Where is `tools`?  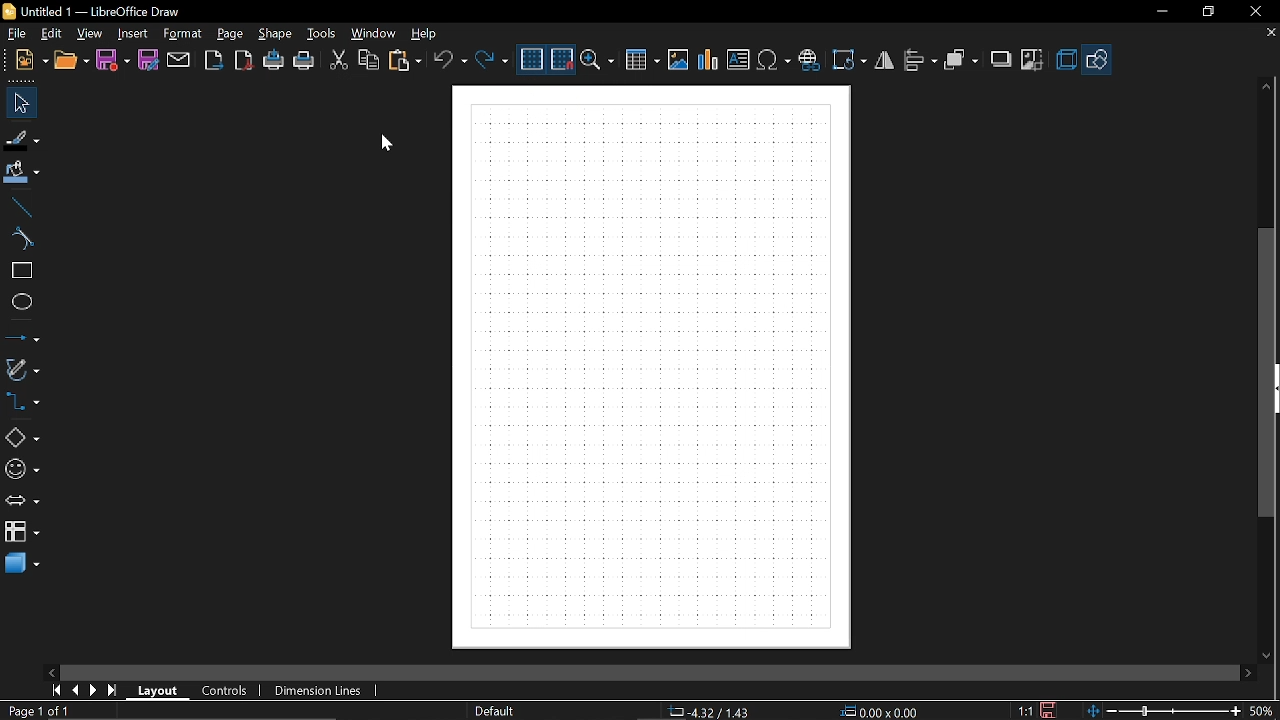 tools is located at coordinates (323, 34).